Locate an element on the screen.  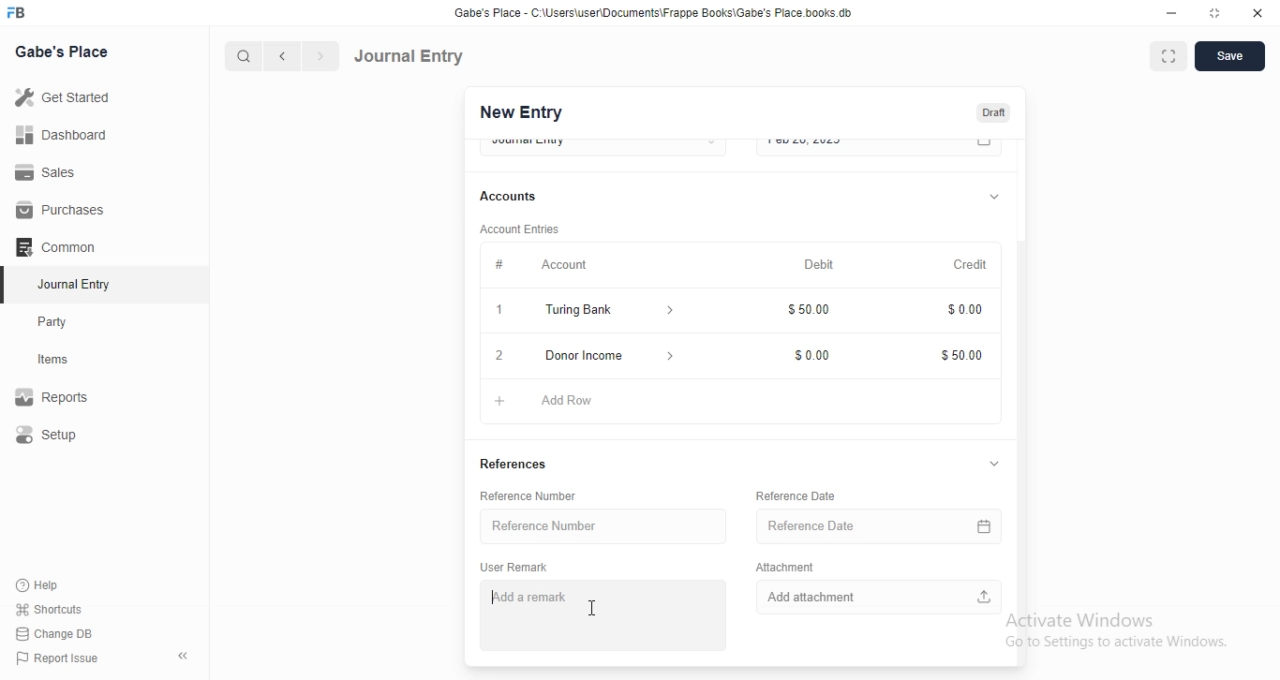
Gabe's Place is located at coordinates (62, 51).